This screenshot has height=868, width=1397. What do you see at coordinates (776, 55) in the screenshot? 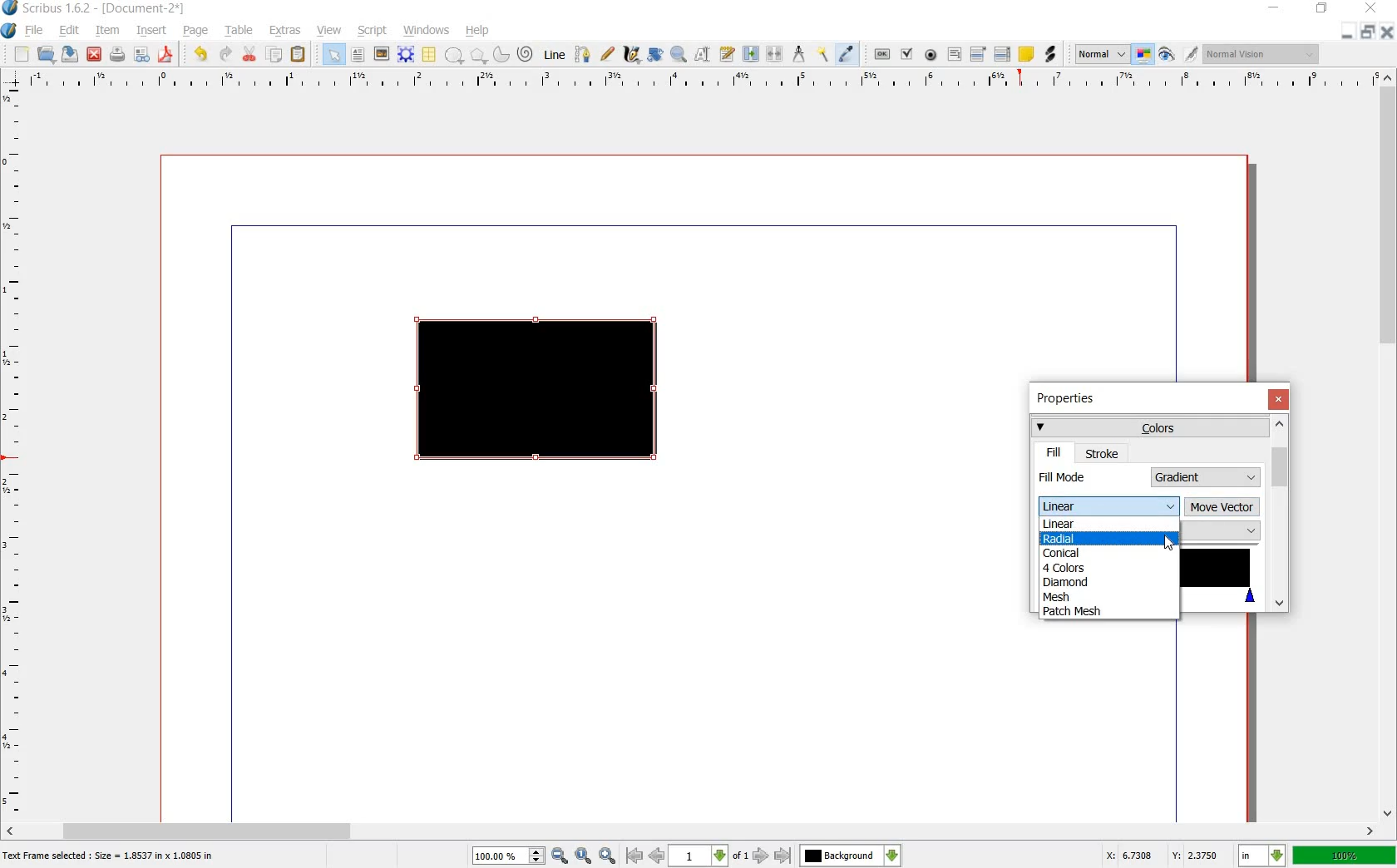
I see `unlink text frame` at bounding box center [776, 55].